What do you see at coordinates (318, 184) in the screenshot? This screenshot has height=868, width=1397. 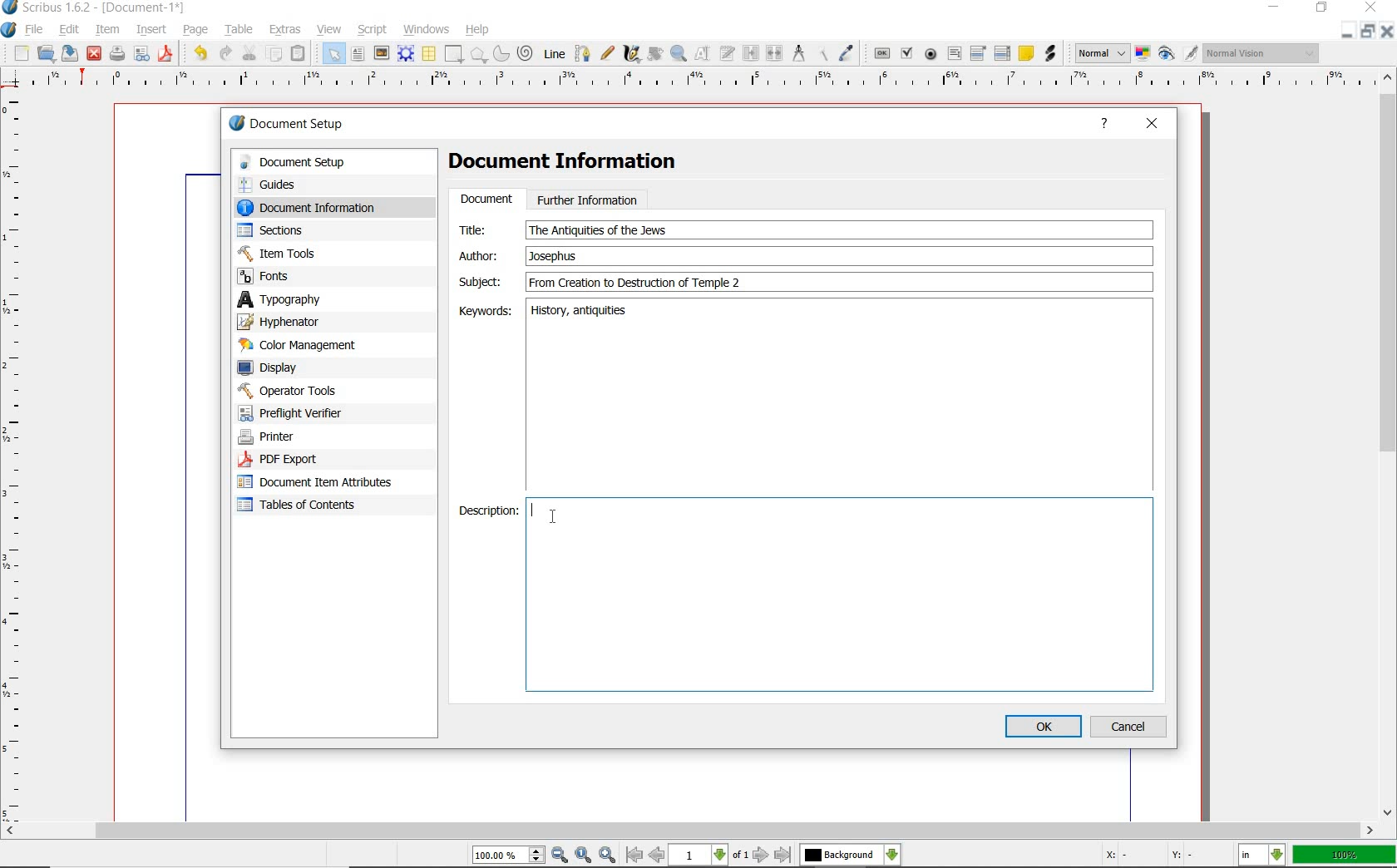 I see `guides` at bounding box center [318, 184].